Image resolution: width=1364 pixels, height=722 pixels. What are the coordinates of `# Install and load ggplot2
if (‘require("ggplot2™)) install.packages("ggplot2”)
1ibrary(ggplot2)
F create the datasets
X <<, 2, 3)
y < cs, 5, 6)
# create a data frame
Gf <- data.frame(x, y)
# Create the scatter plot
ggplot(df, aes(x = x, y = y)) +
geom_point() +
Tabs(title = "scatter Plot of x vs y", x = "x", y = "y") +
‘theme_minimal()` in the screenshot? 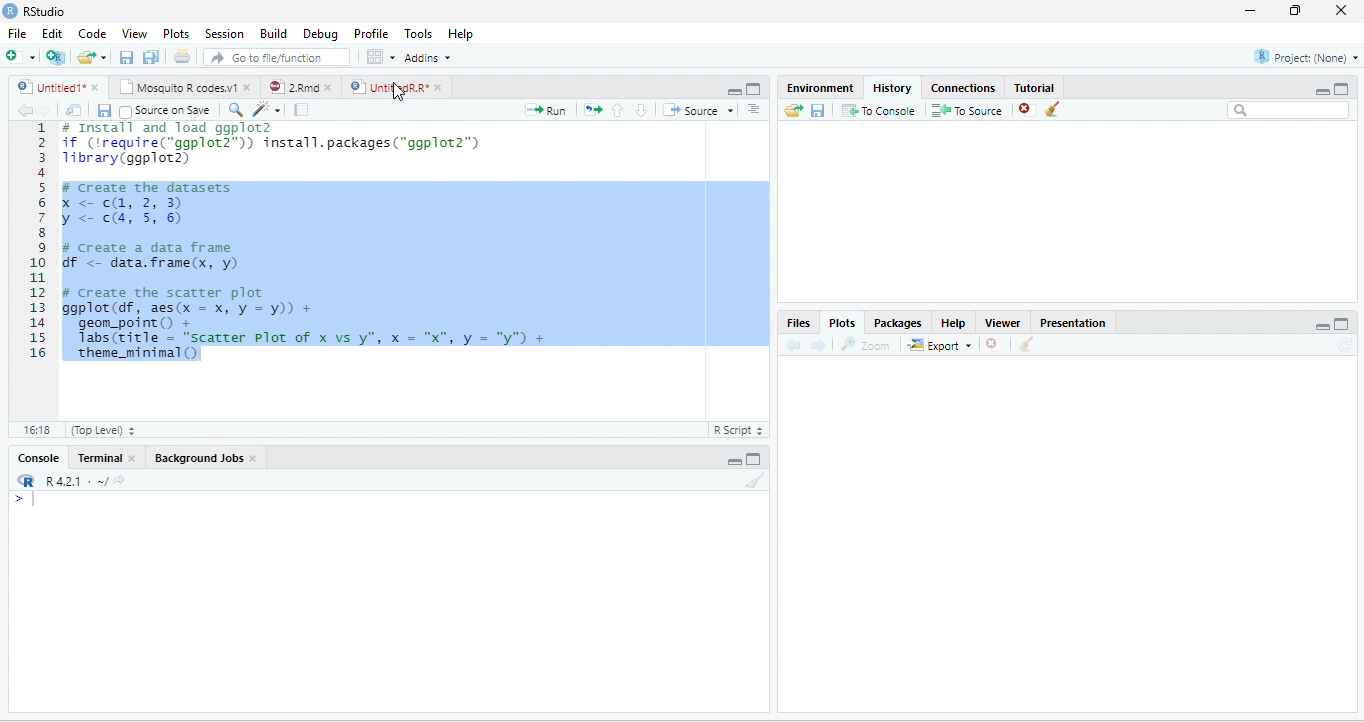 It's located at (305, 242).